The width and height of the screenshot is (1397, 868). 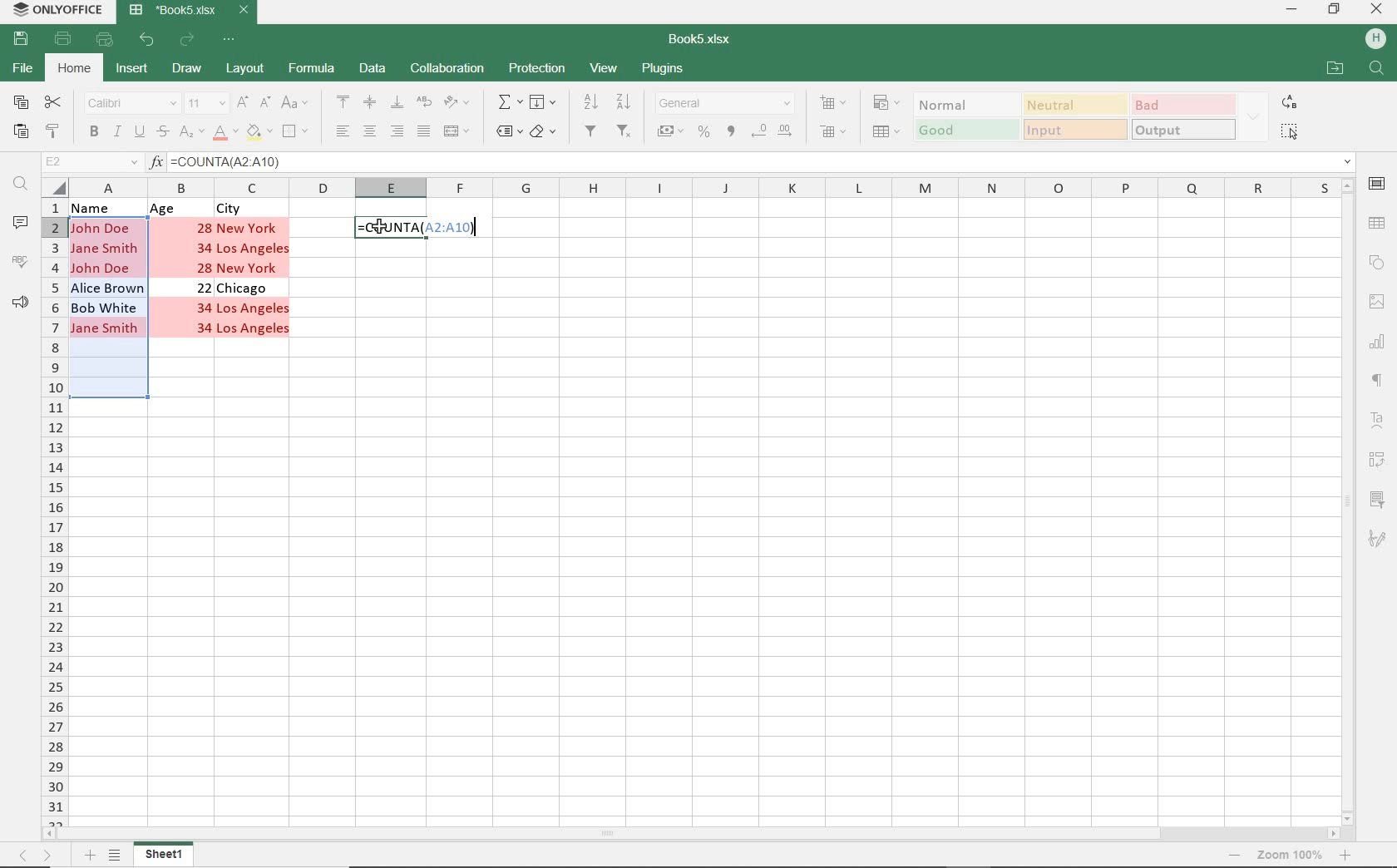 What do you see at coordinates (343, 132) in the screenshot?
I see `ALIGN LEFT` at bounding box center [343, 132].